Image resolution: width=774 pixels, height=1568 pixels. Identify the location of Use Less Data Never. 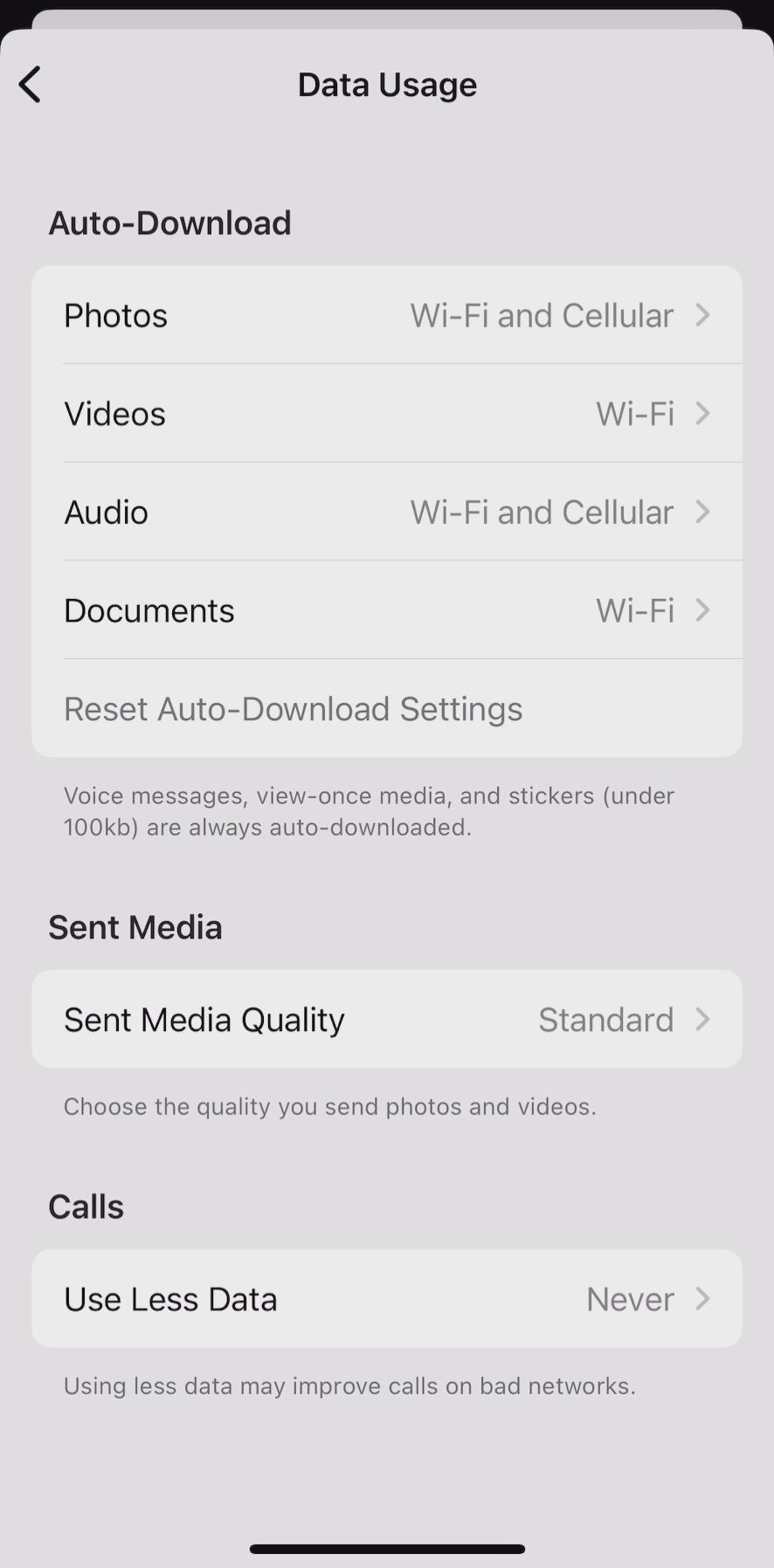
(390, 1303).